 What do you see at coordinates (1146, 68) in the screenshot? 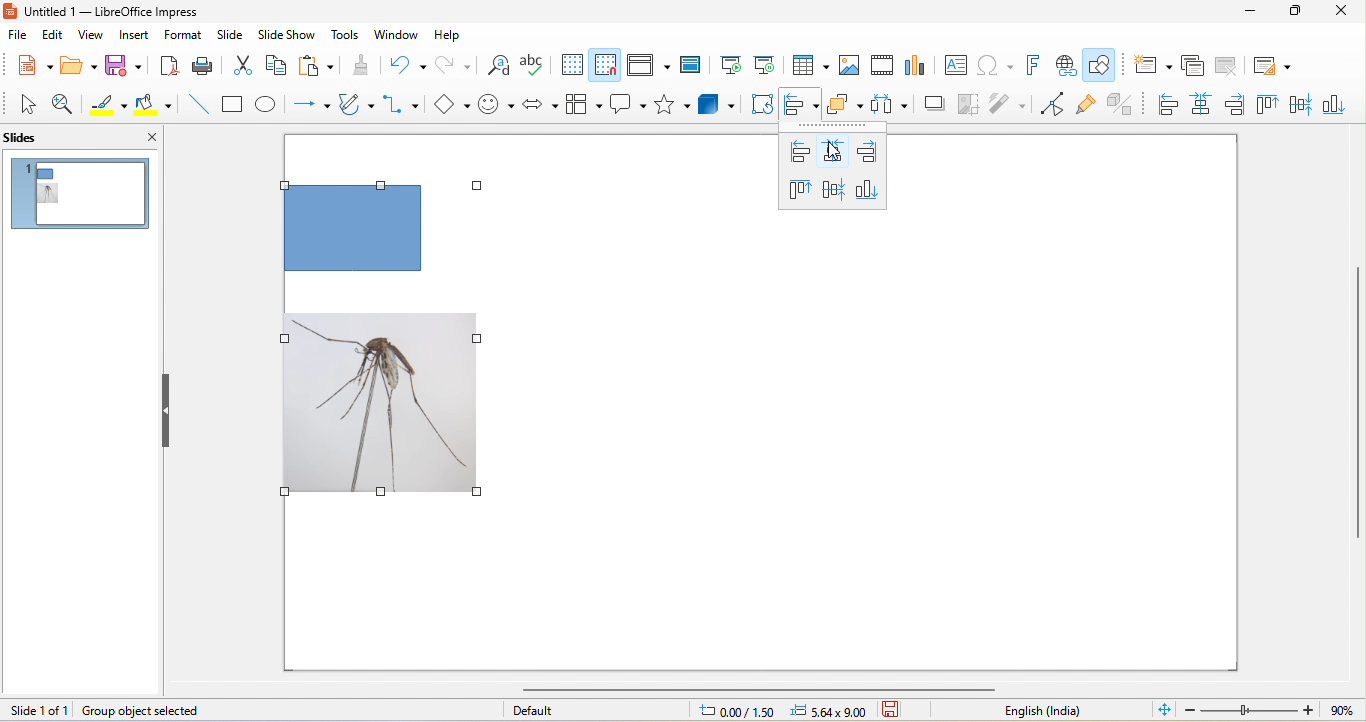
I see `new slide` at bounding box center [1146, 68].